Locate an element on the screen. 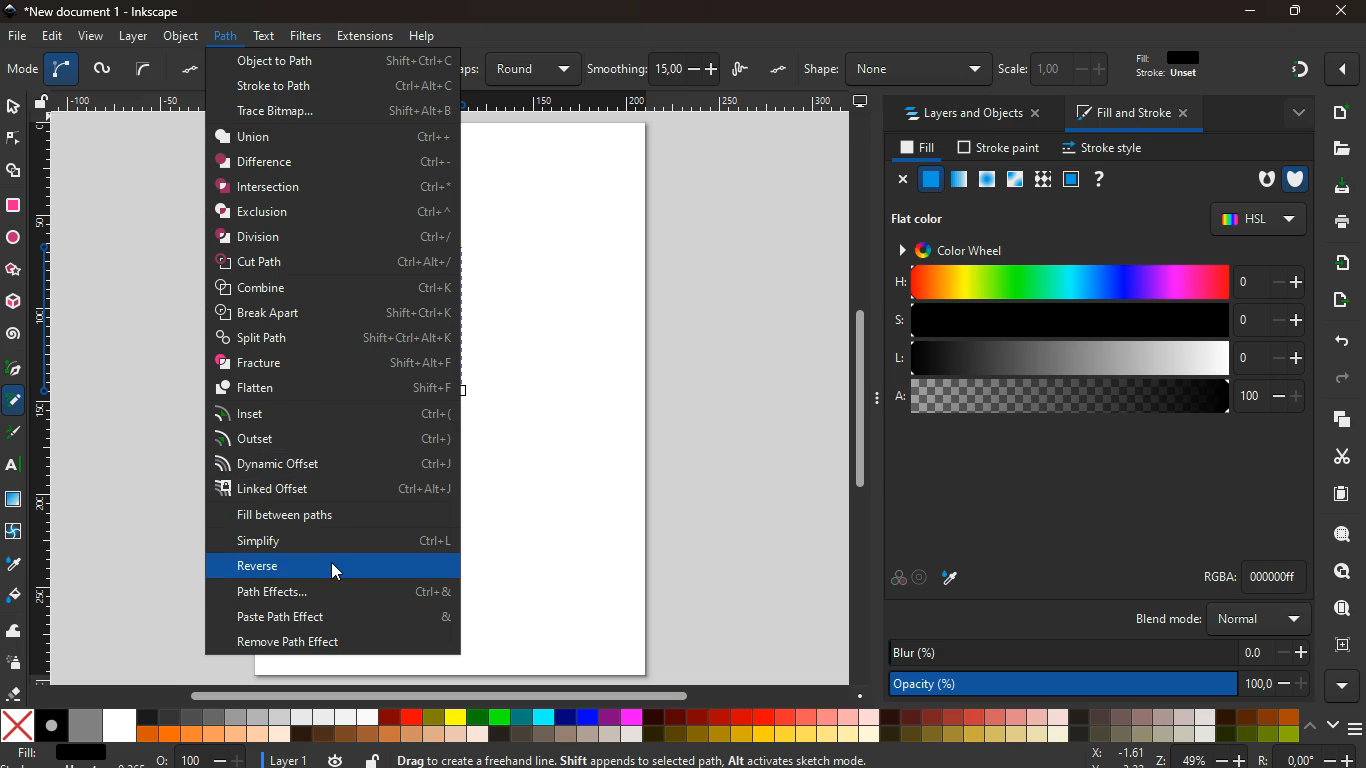  layers and objects is located at coordinates (971, 113).